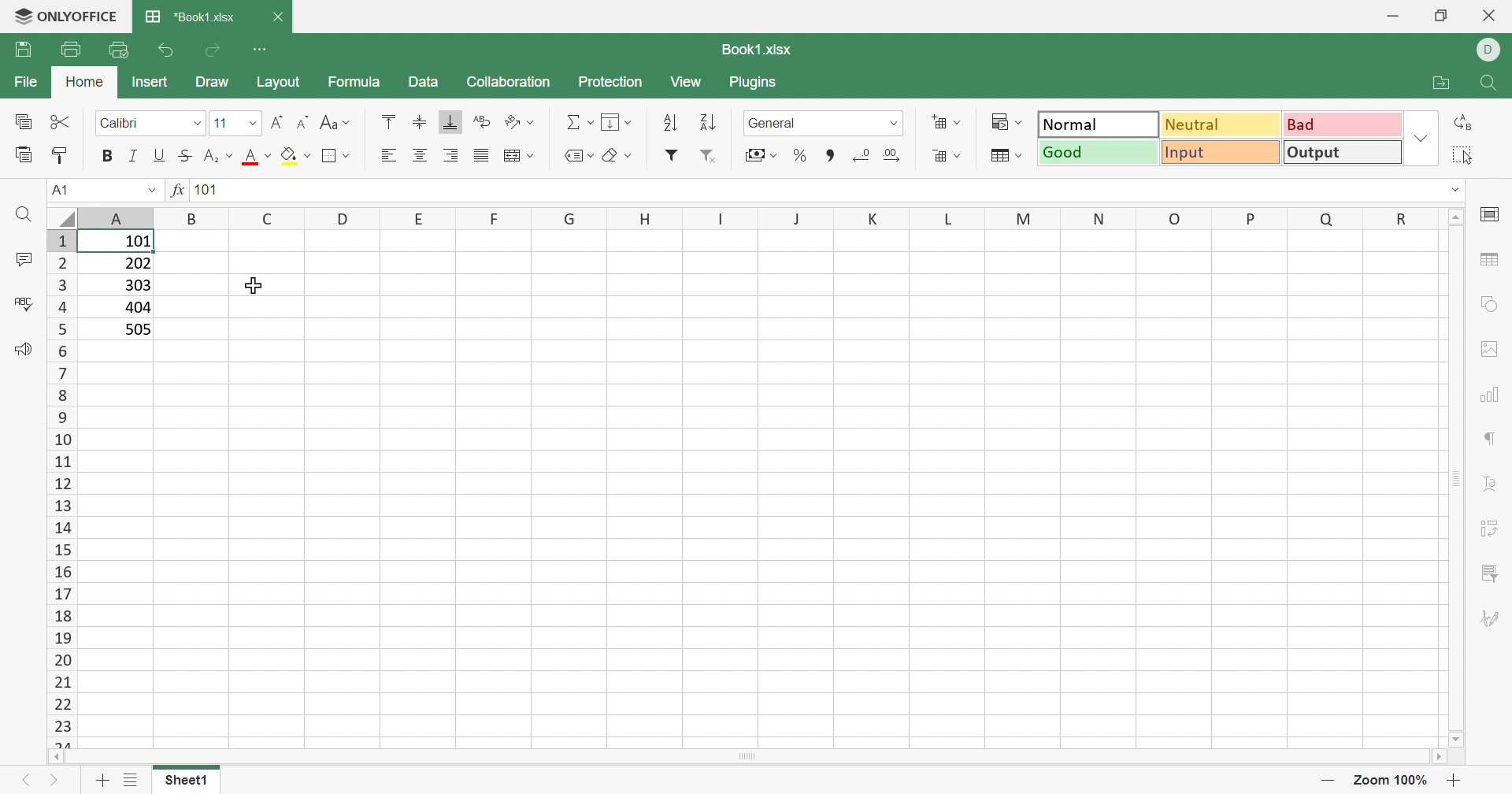 The height and width of the screenshot is (794, 1512). Describe the element at coordinates (708, 124) in the screenshot. I see `Descending order` at that location.